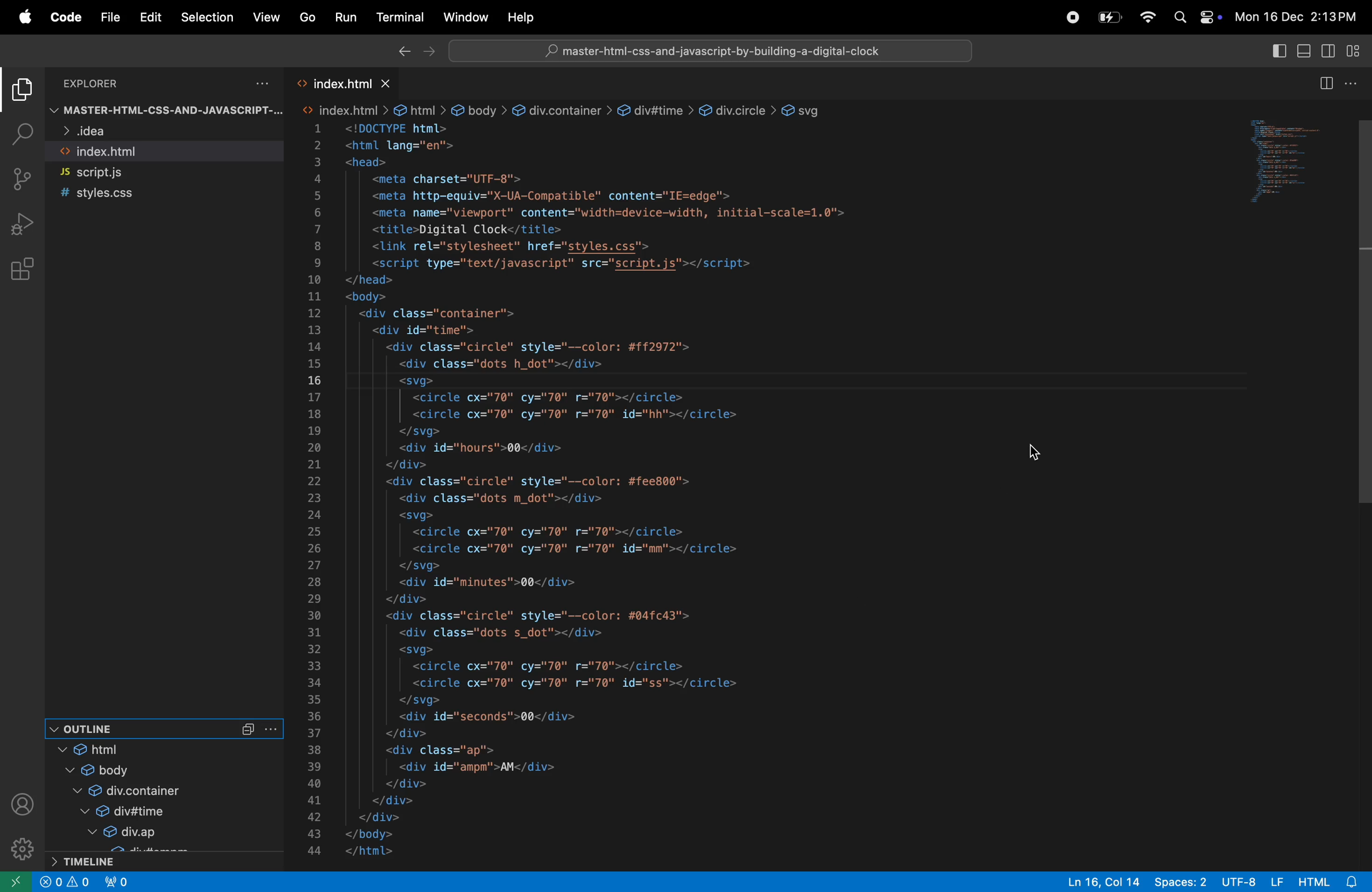 This screenshot has height=892, width=1372. What do you see at coordinates (1143, 17) in the screenshot?
I see `wifi` at bounding box center [1143, 17].